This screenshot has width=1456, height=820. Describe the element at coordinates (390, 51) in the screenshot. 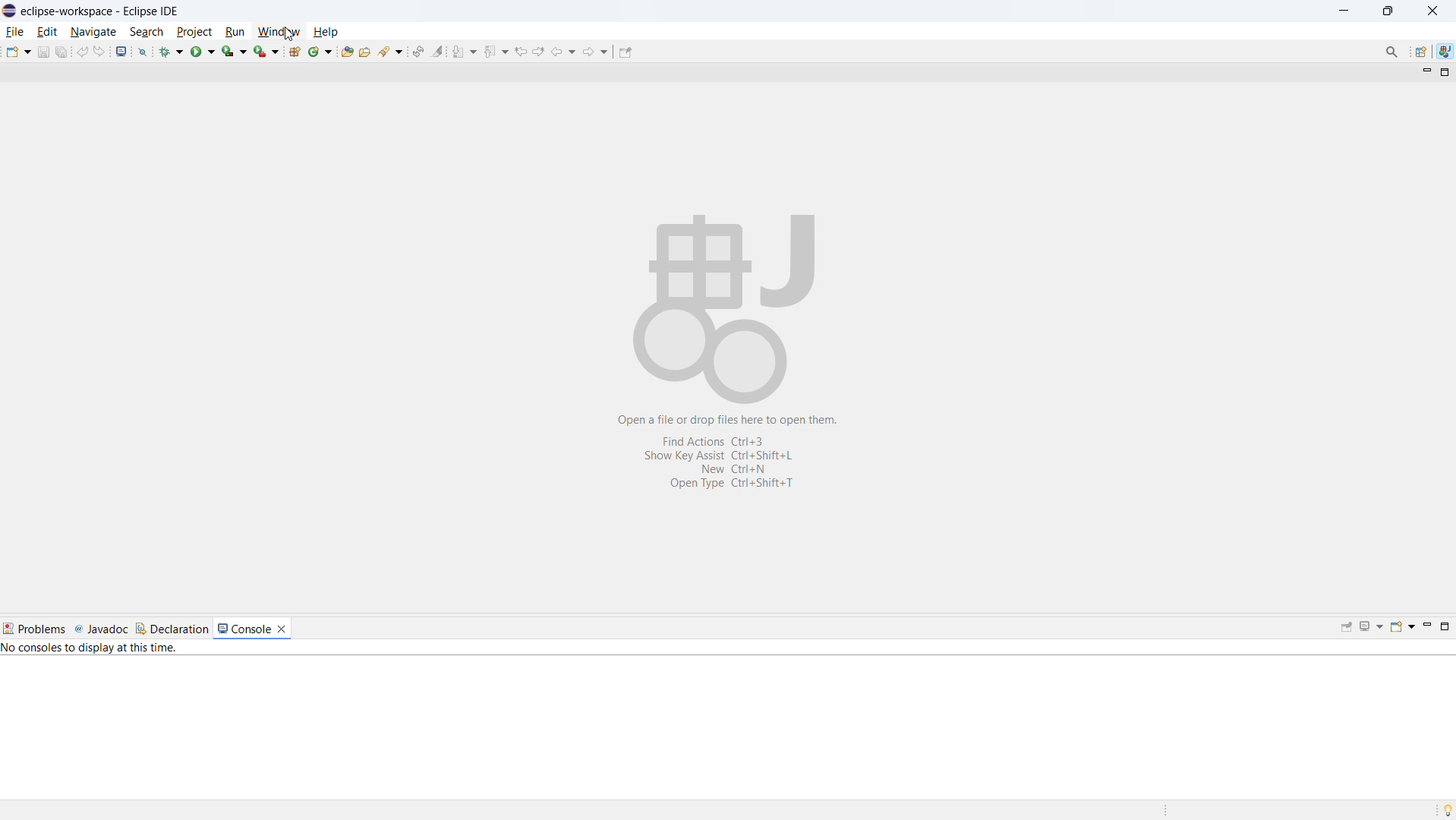

I see `search` at that location.